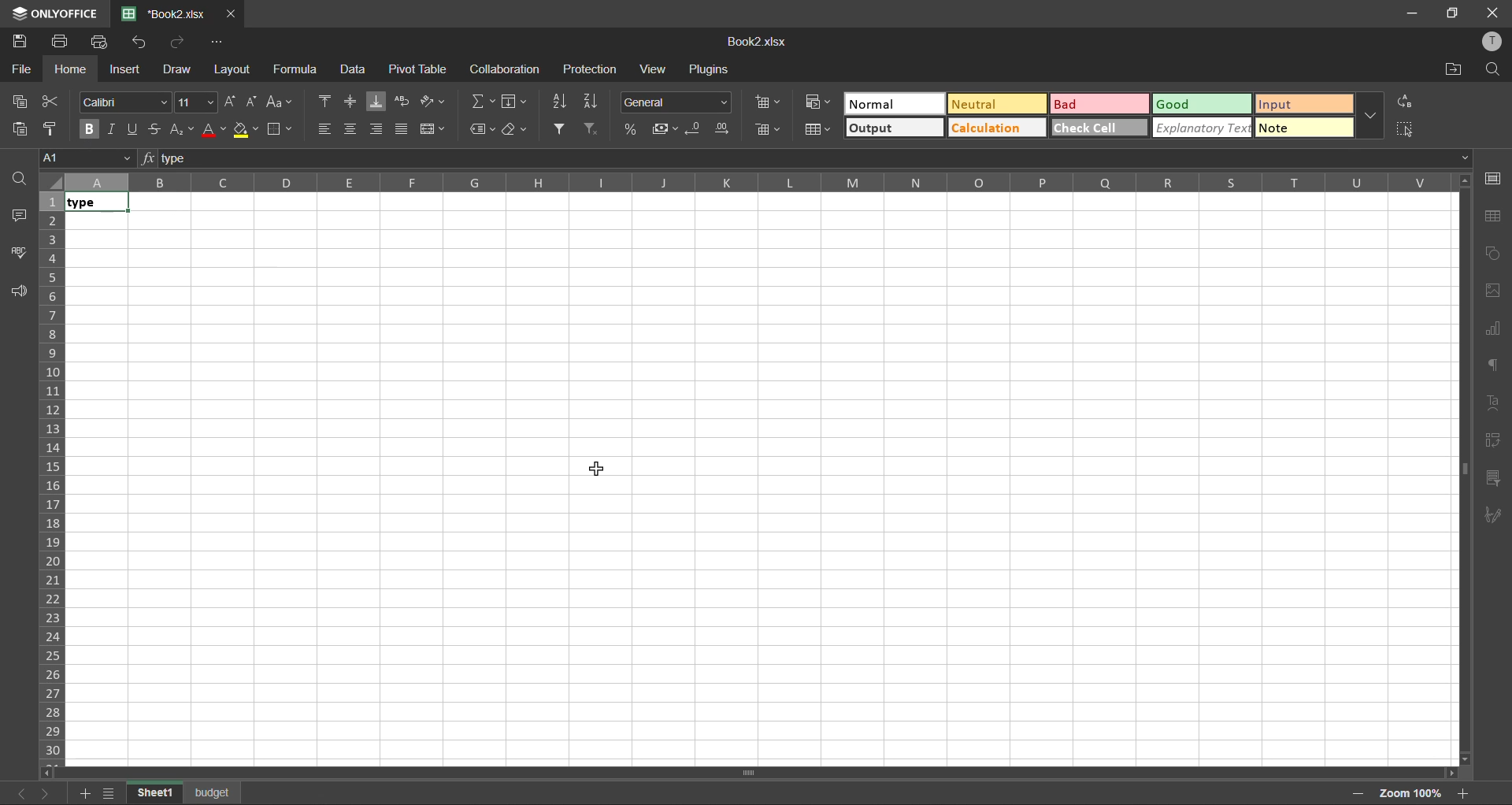 The width and height of the screenshot is (1512, 805). I want to click on signature, so click(1493, 515).